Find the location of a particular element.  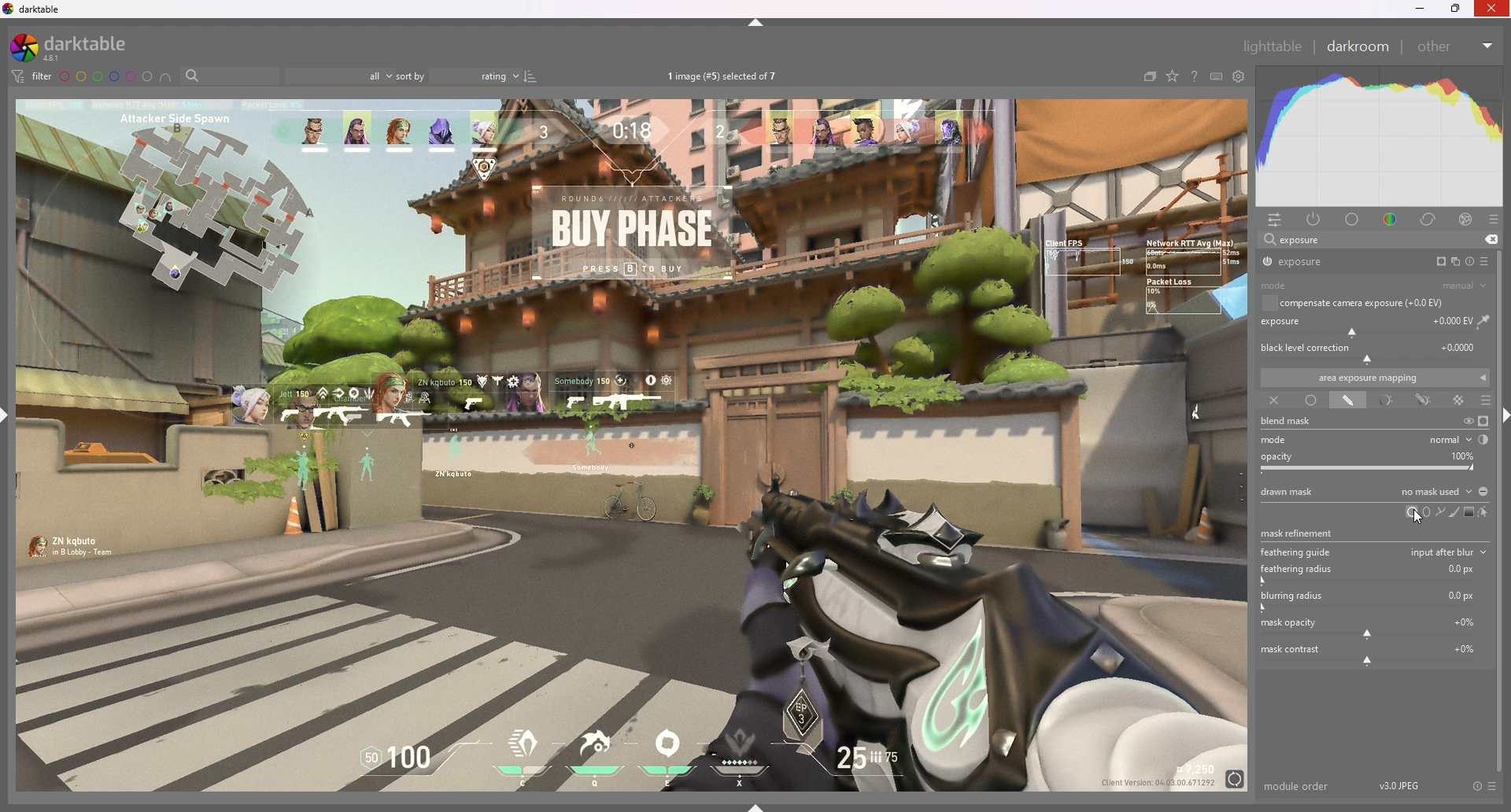

compensate camera exposure is located at coordinates (1361, 303).